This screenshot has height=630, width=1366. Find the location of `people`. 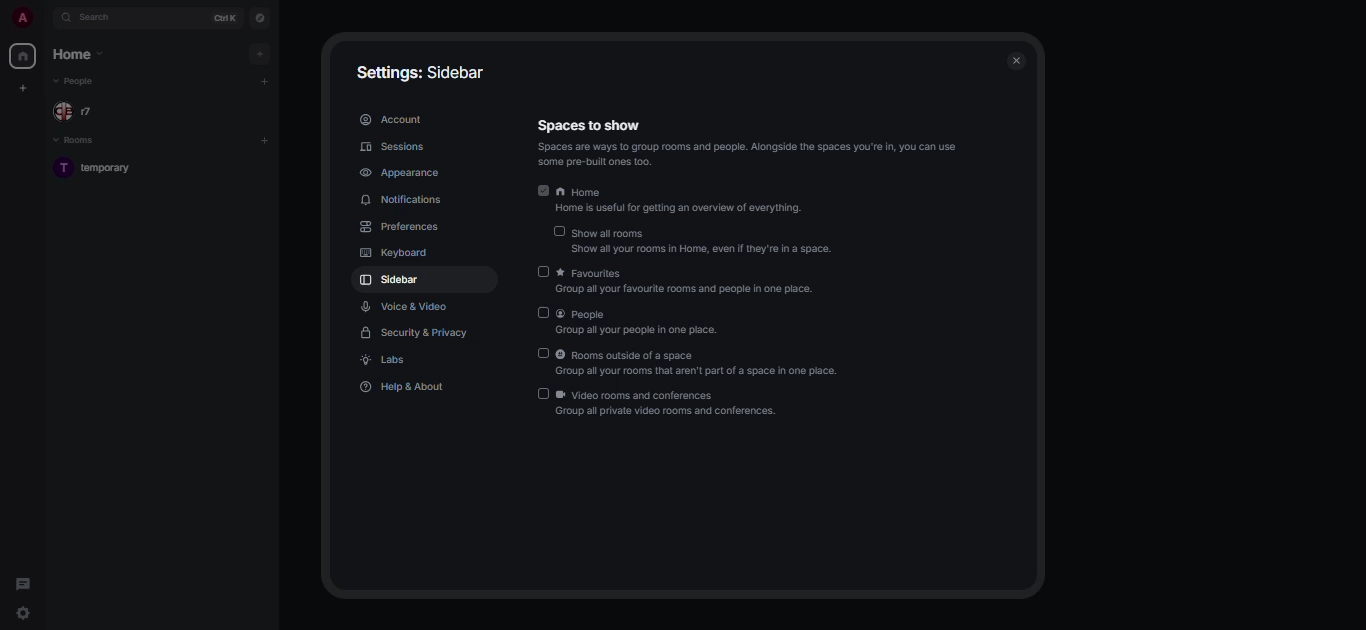

people is located at coordinates (78, 84).